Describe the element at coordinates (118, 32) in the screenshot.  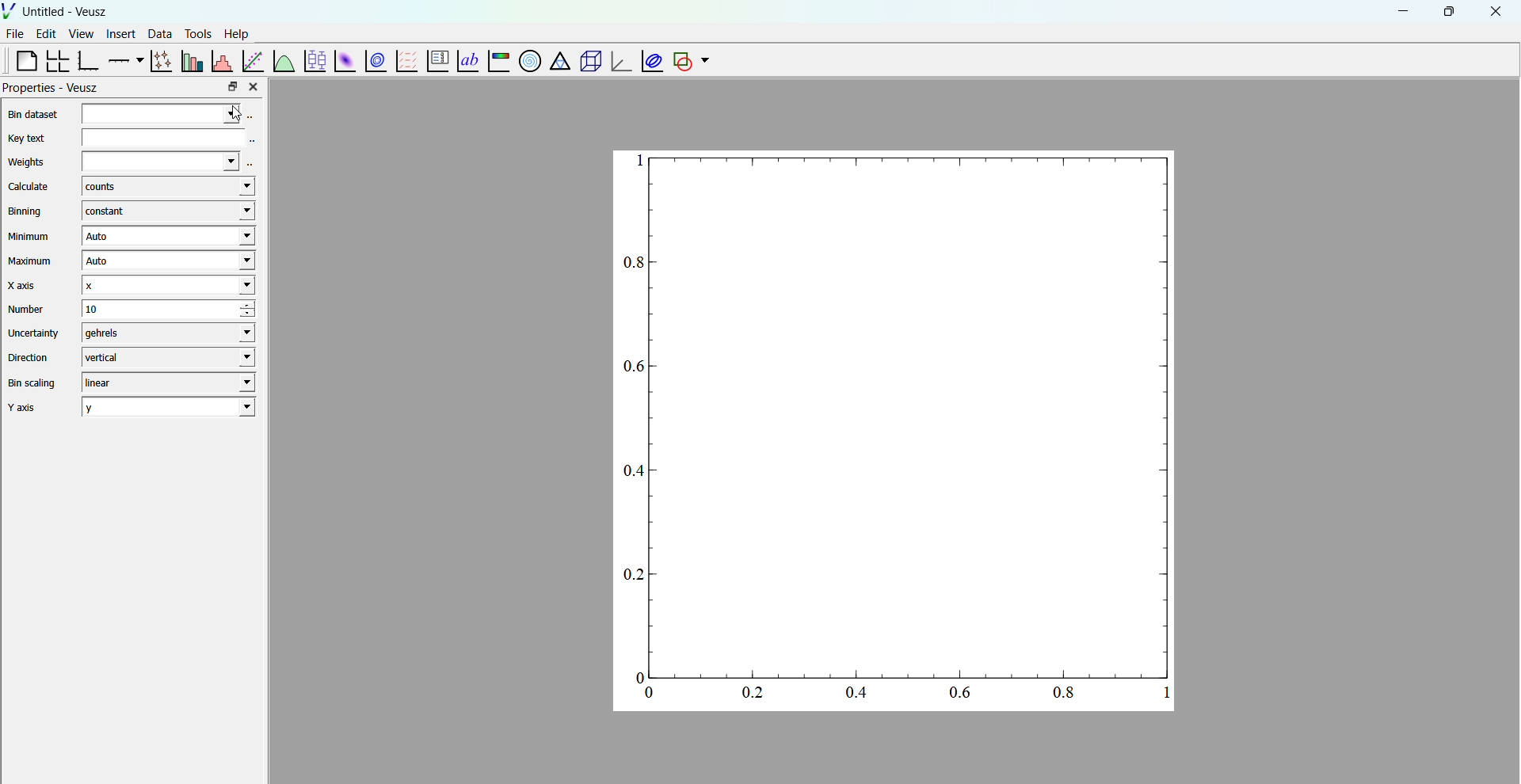
I see `insert` at that location.